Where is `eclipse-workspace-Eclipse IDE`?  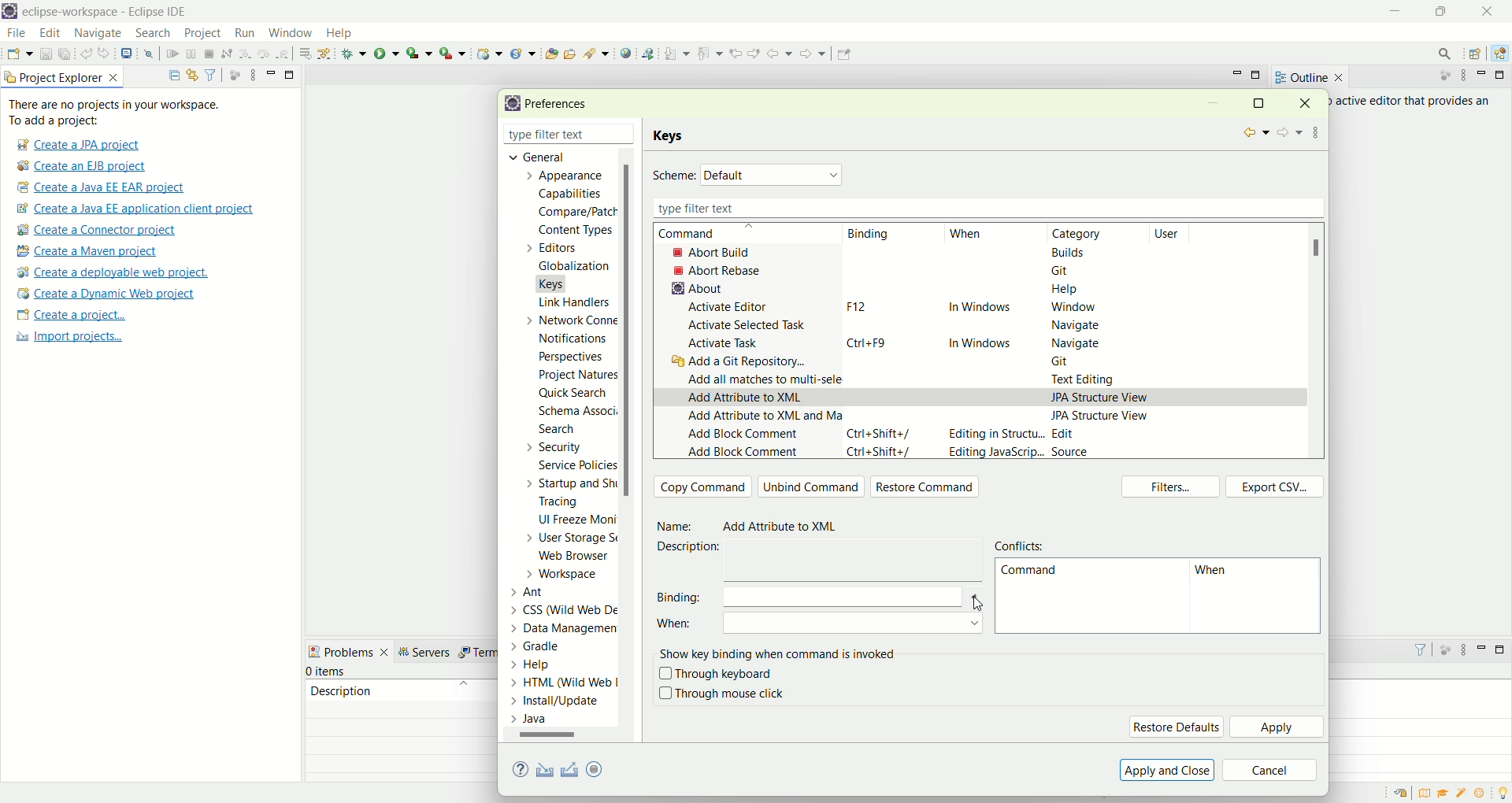
eclipse-workspace-Eclipse IDE is located at coordinates (103, 13).